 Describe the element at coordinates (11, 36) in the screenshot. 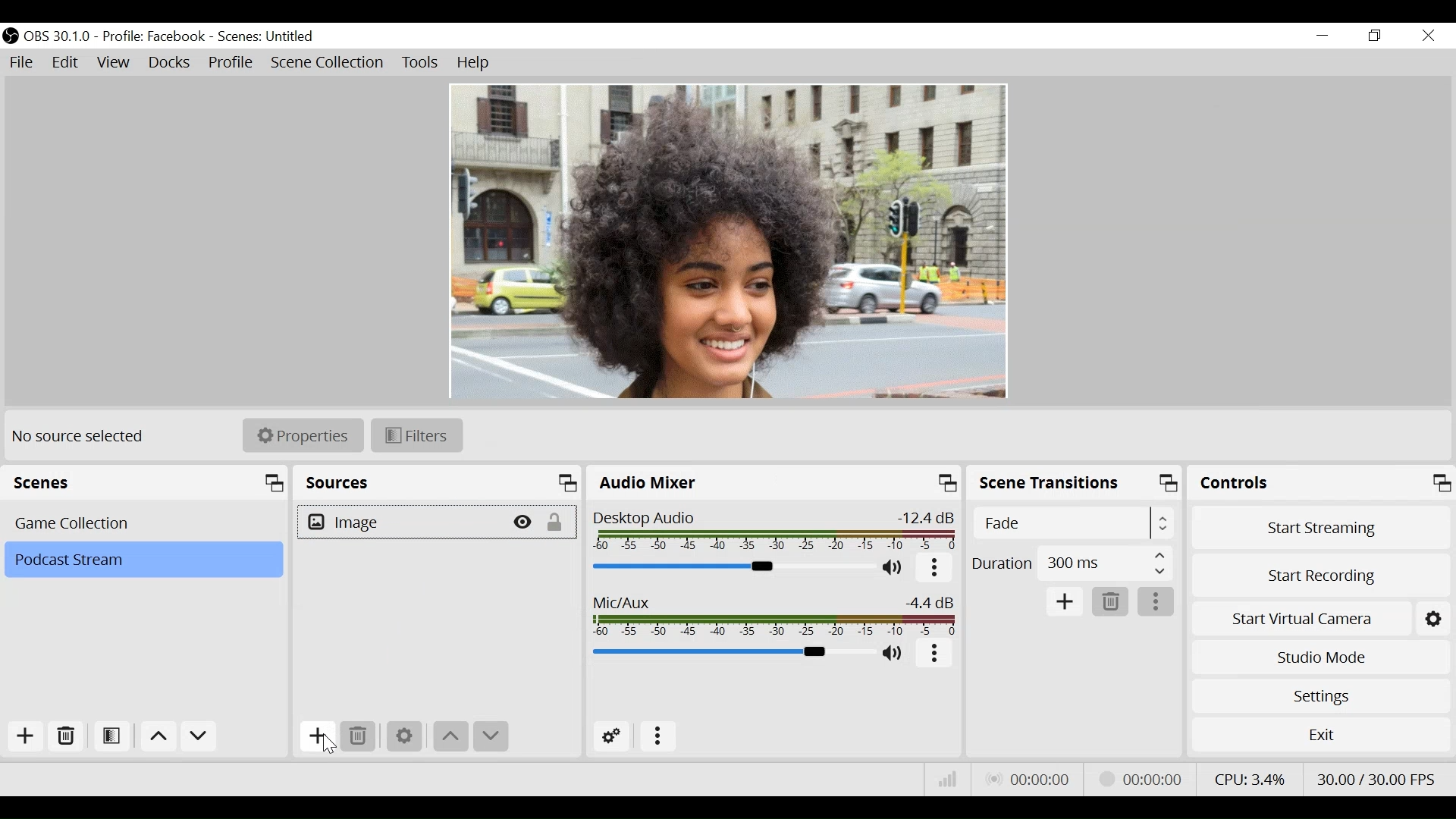

I see `OBS Desktop Icon` at that location.